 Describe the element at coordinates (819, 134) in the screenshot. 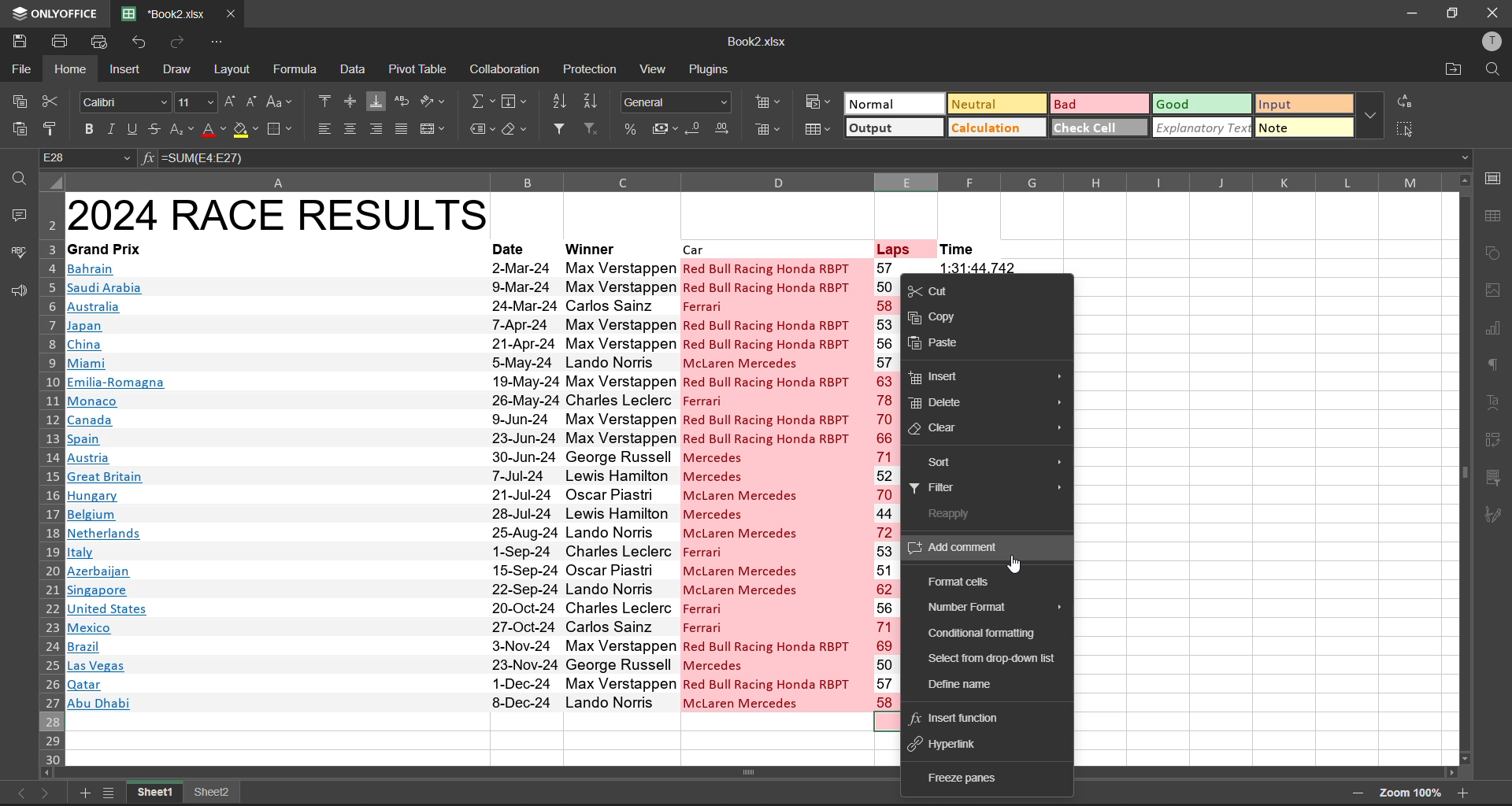

I see `format as table` at that location.